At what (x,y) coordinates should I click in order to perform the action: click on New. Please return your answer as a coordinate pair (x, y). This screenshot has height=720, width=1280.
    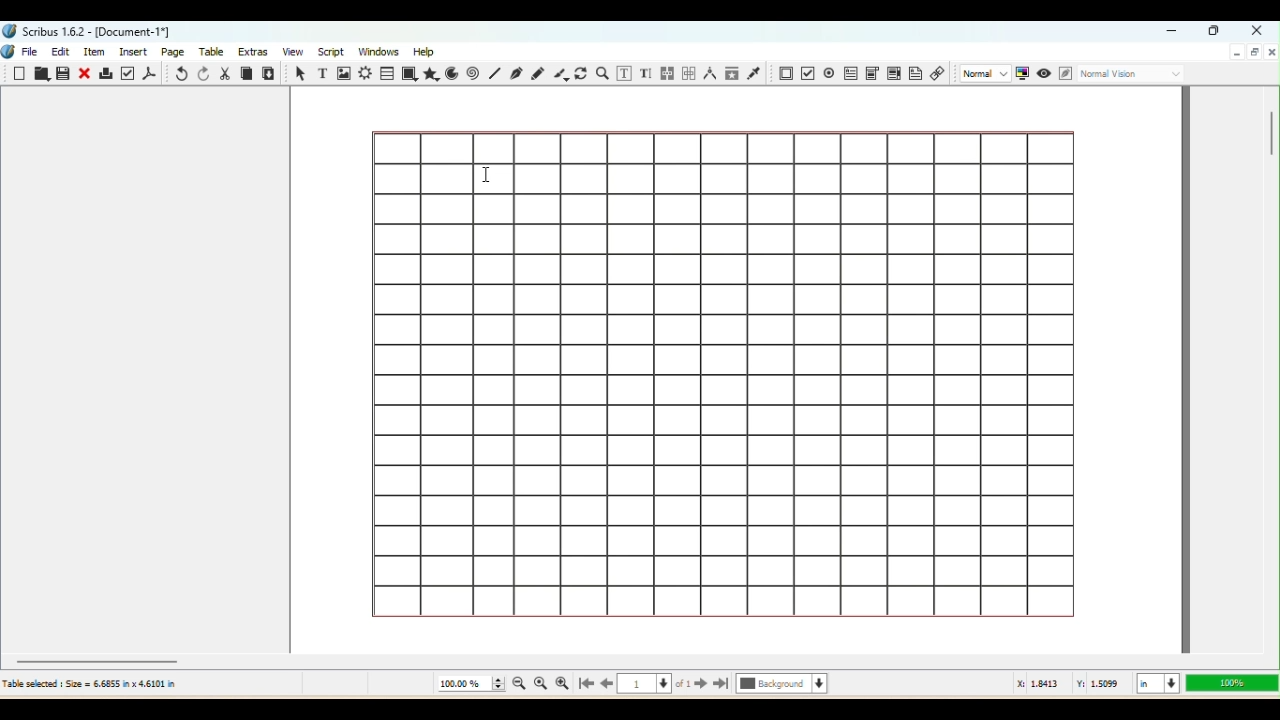
    Looking at the image, I should click on (21, 74).